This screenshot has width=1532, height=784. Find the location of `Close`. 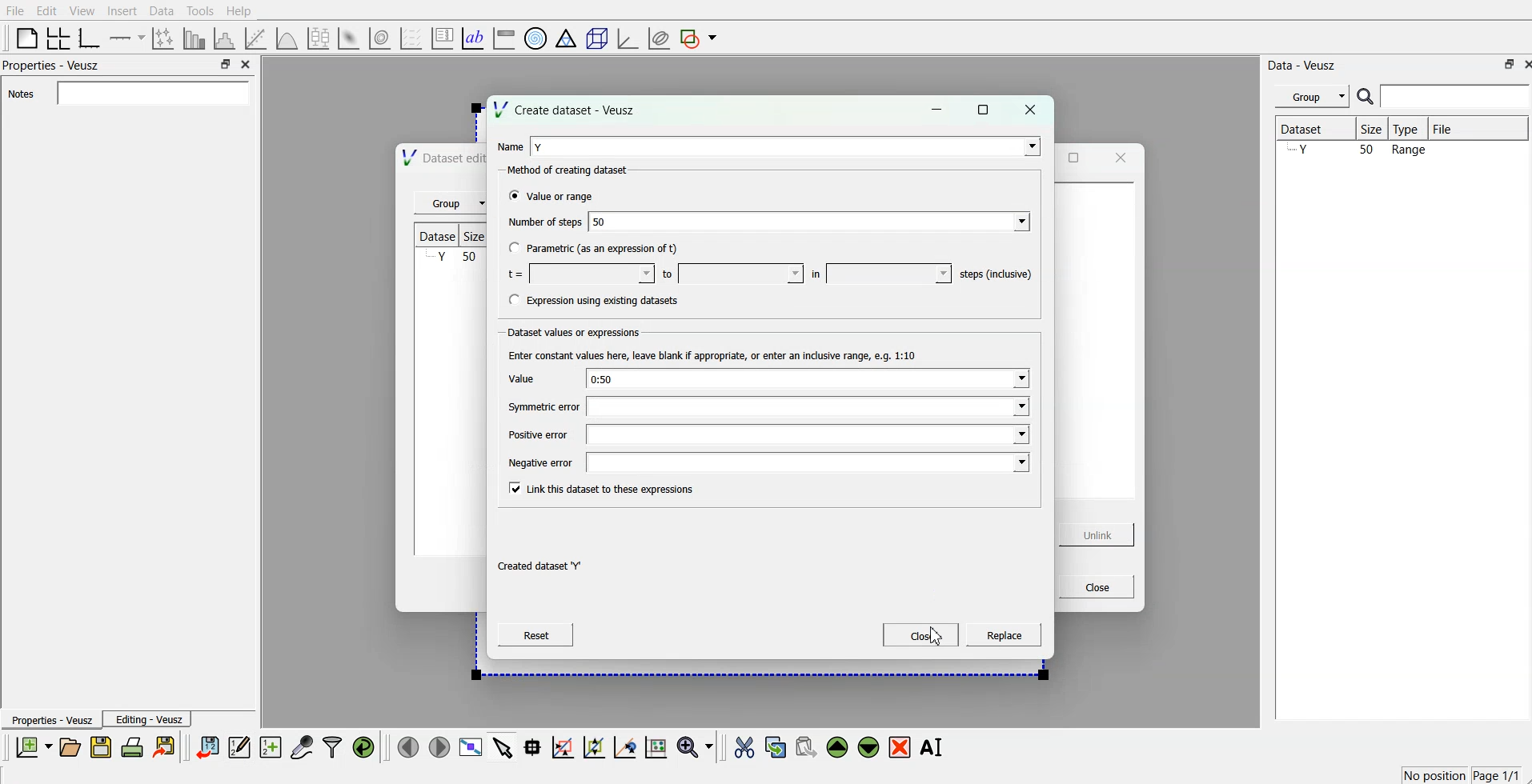

Close is located at coordinates (1094, 586).